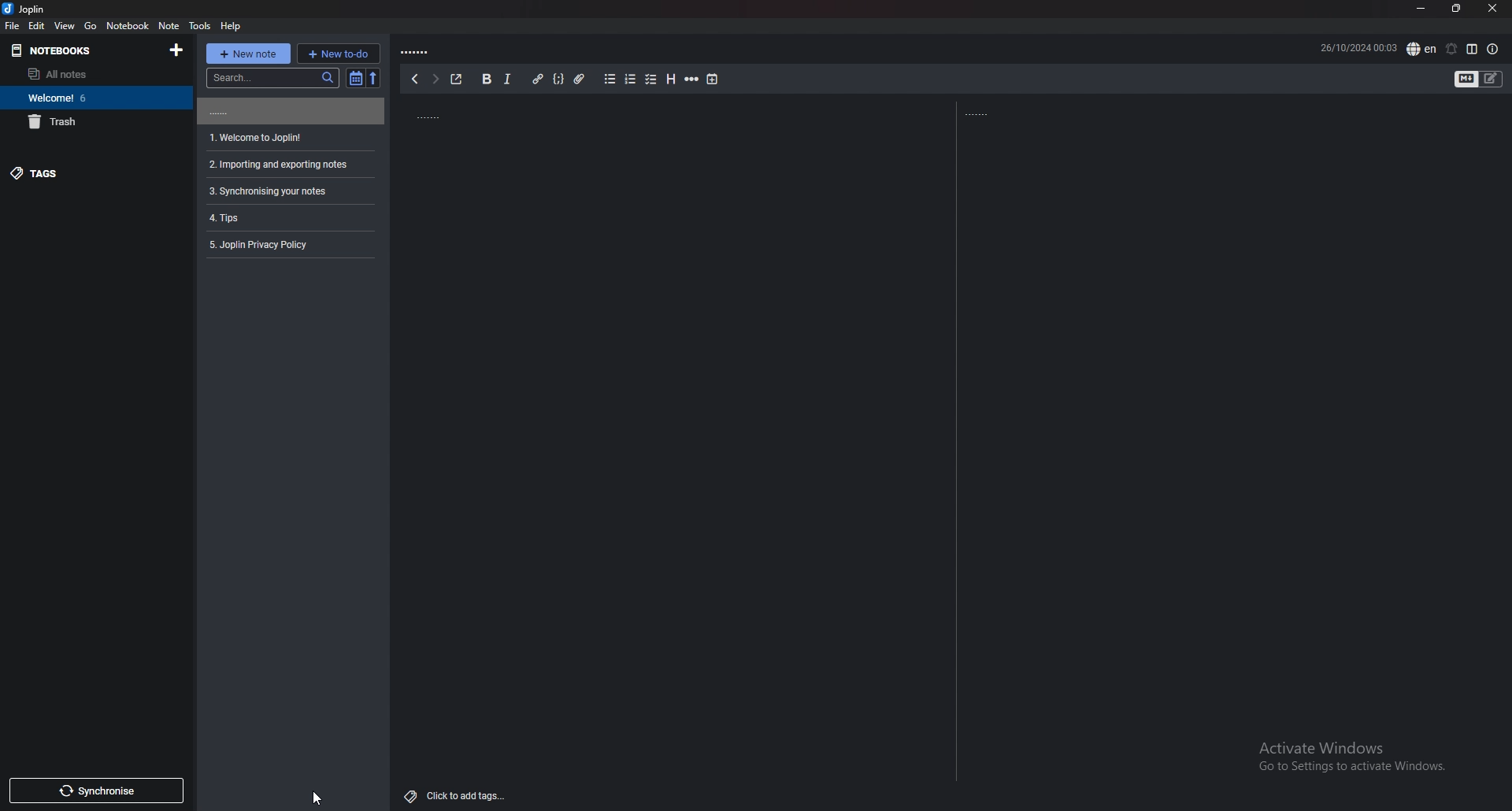  Describe the element at coordinates (1466, 79) in the screenshot. I see `toggle editors` at that location.